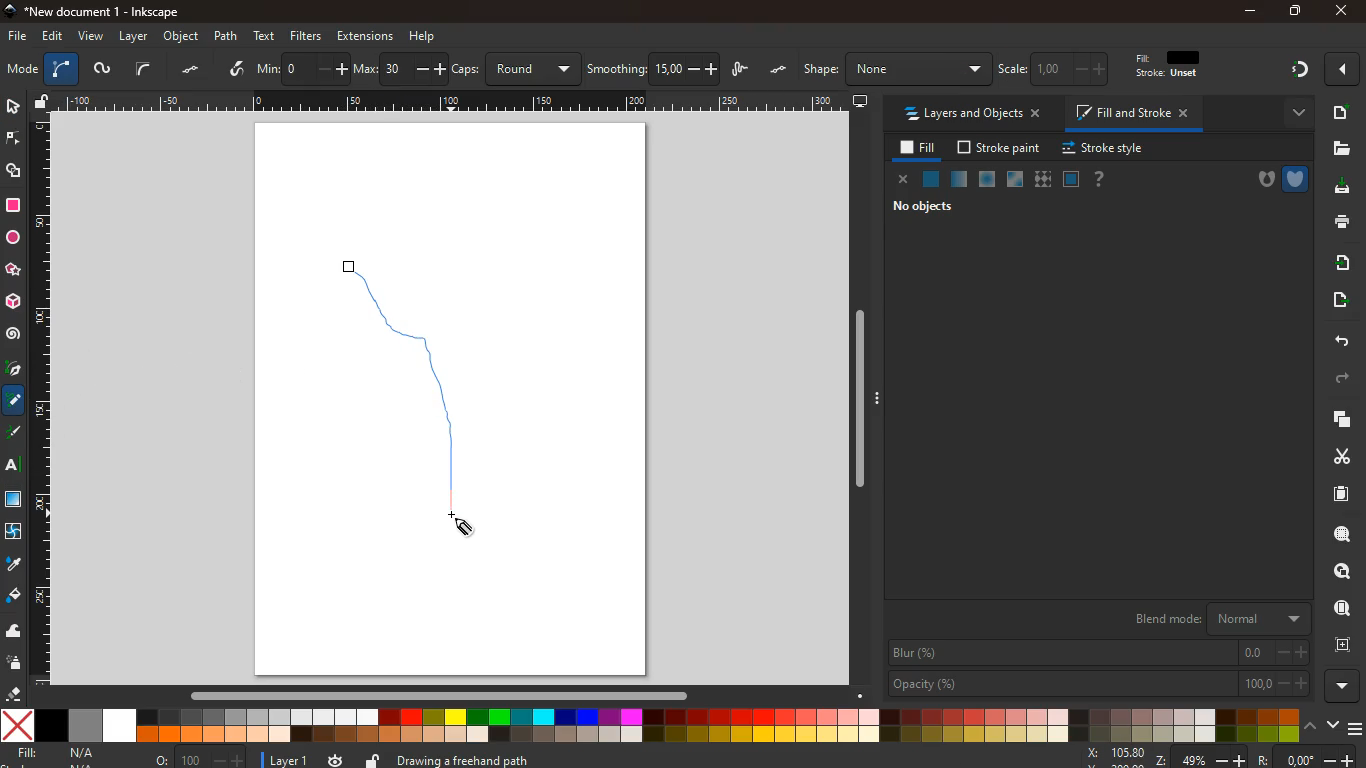  What do you see at coordinates (365, 35) in the screenshot?
I see `extensions` at bounding box center [365, 35].